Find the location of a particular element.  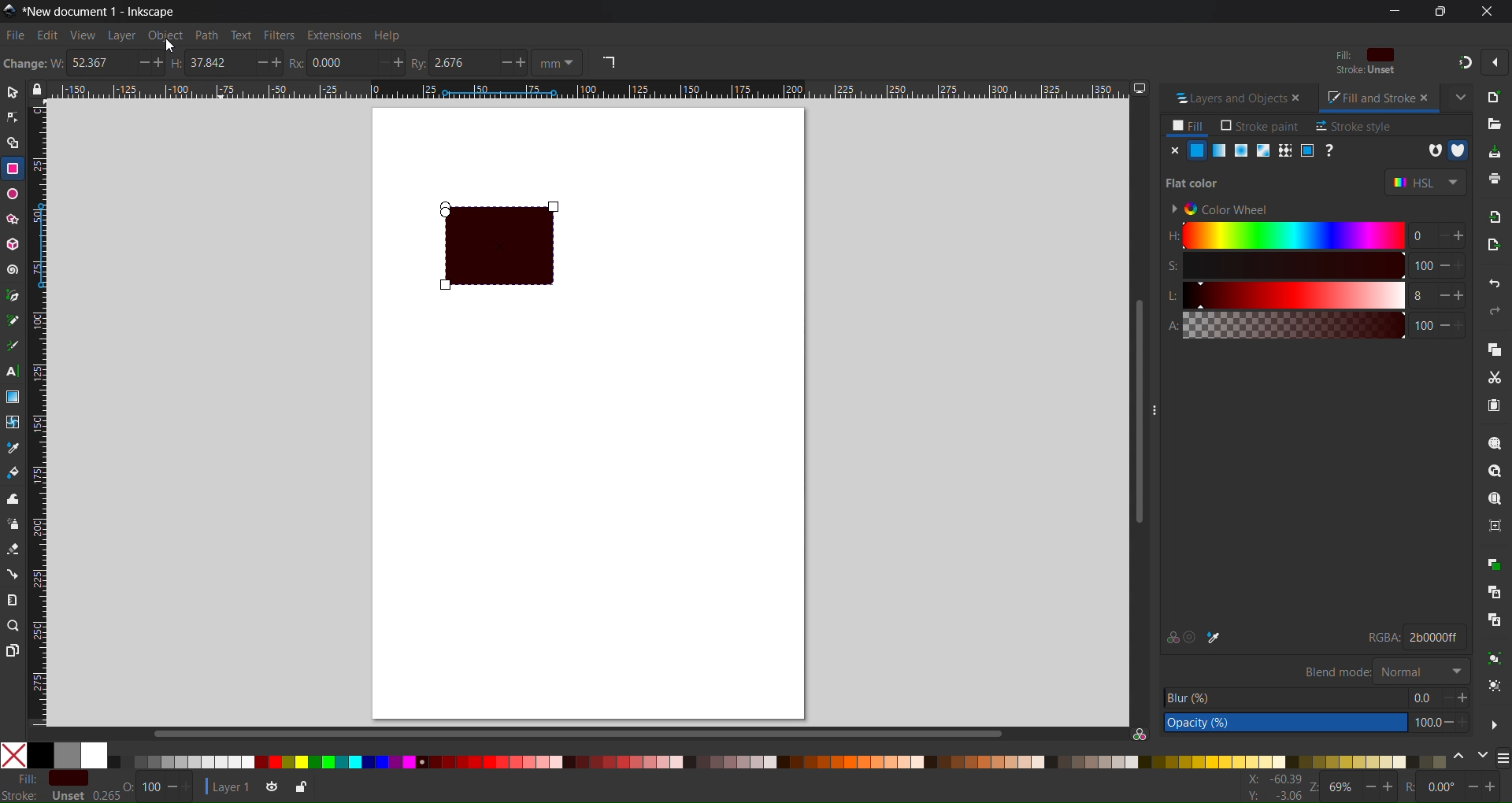

Shape Builder tool is located at coordinates (13, 142).